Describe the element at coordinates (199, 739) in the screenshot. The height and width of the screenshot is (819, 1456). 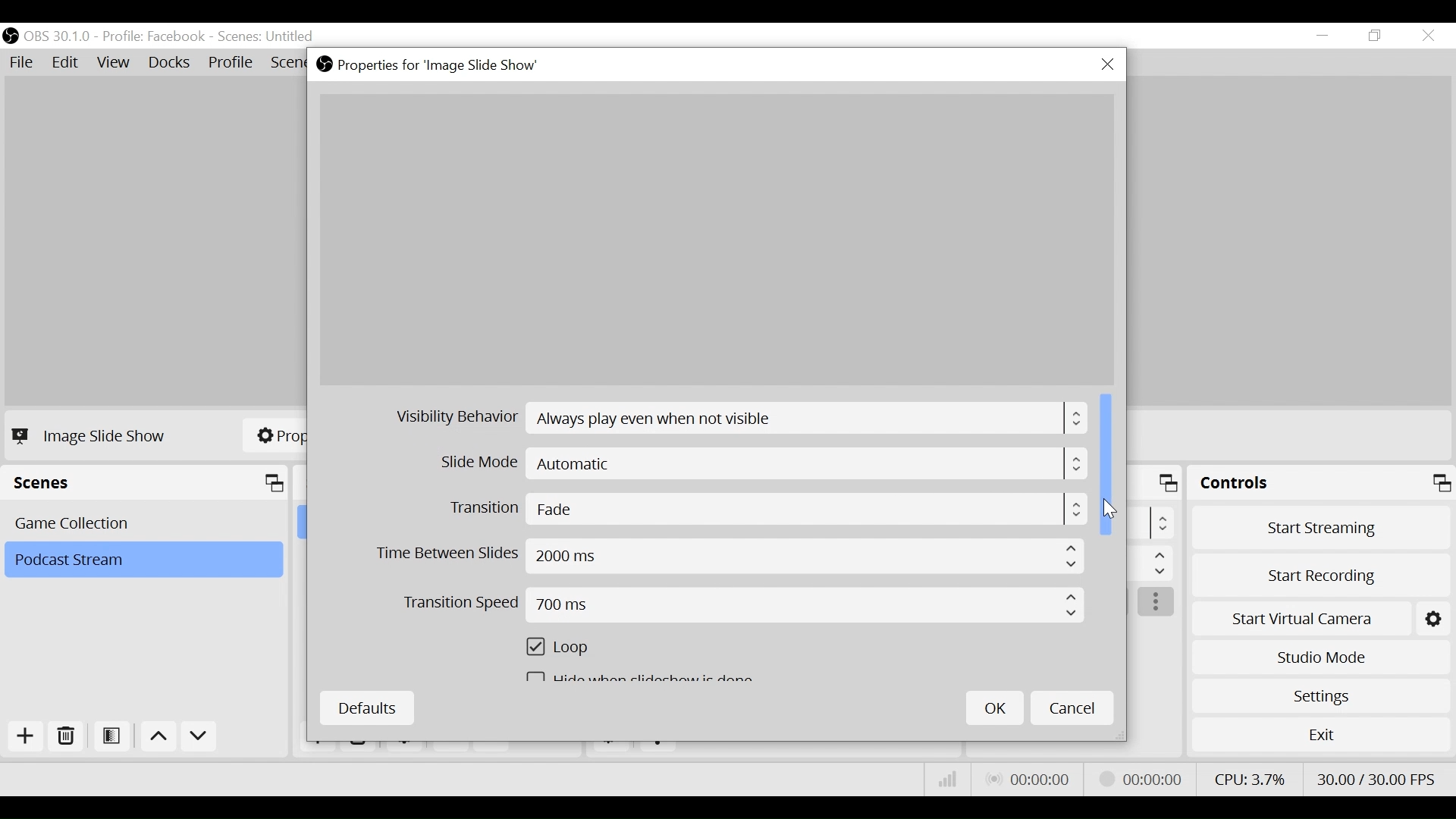
I see `Move Down` at that location.